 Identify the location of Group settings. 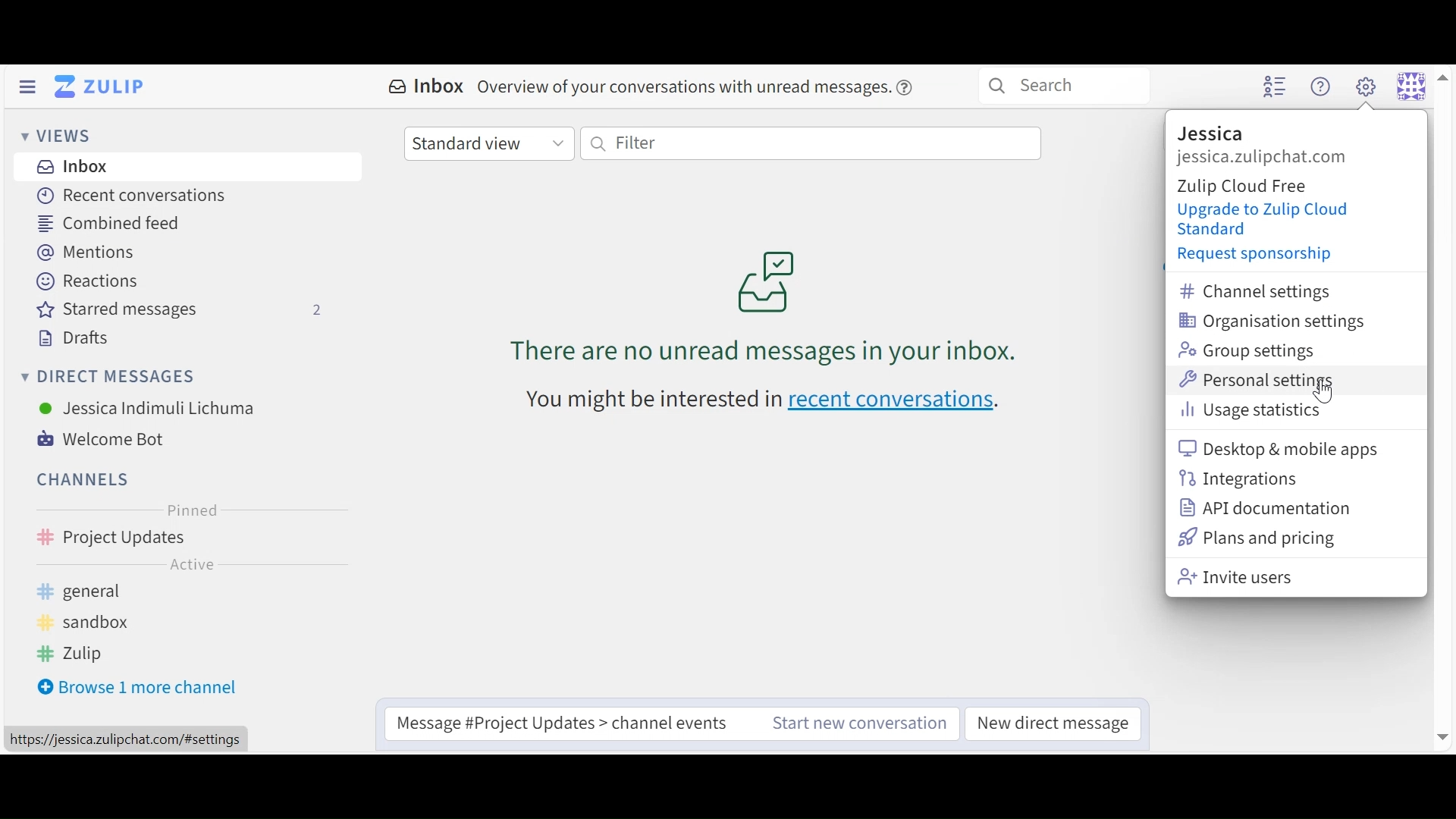
(1253, 352).